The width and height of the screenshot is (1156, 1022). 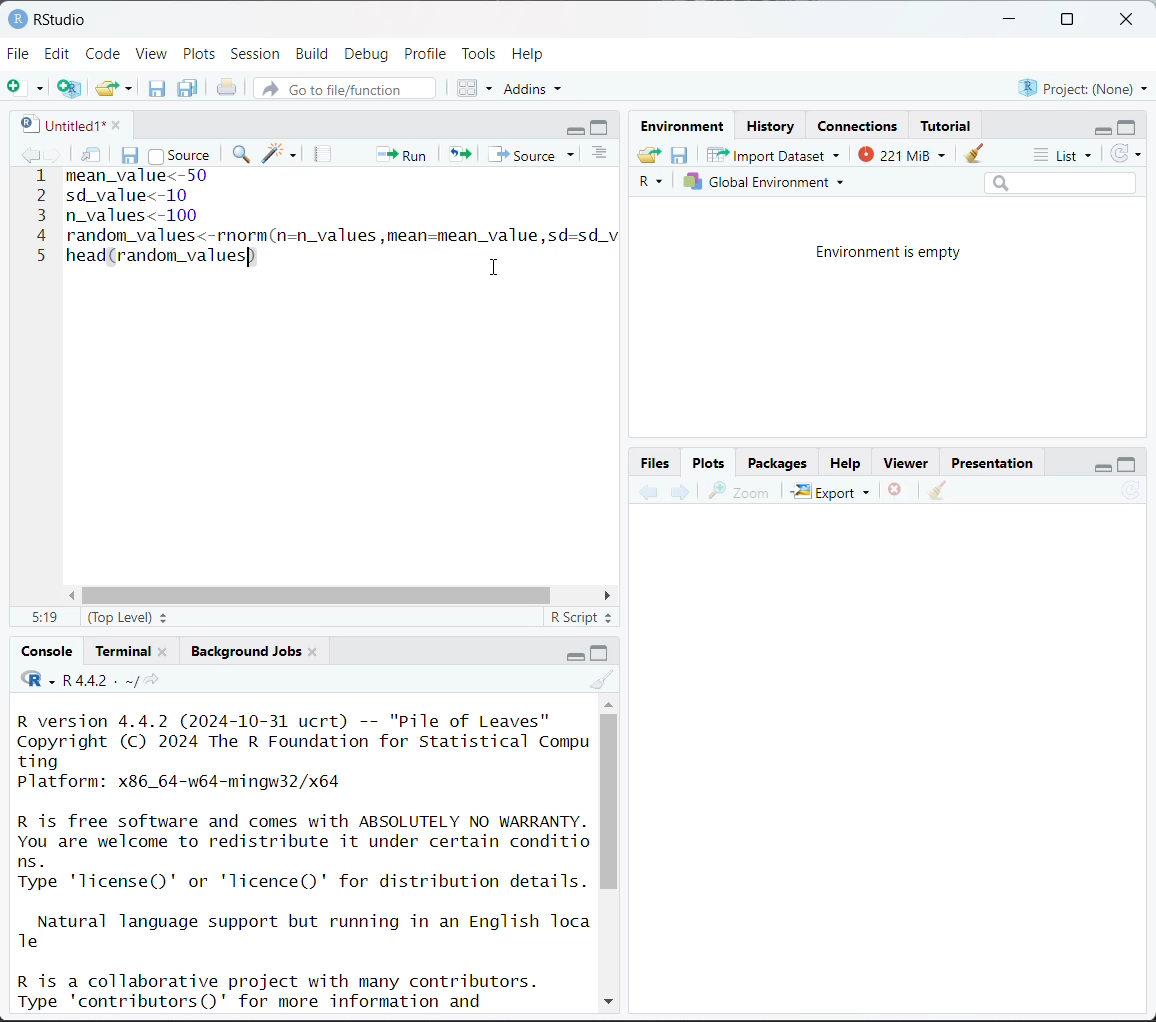 What do you see at coordinates (25, 88) in the screenshot?
I see `new file` at bounding box center [25, 88].